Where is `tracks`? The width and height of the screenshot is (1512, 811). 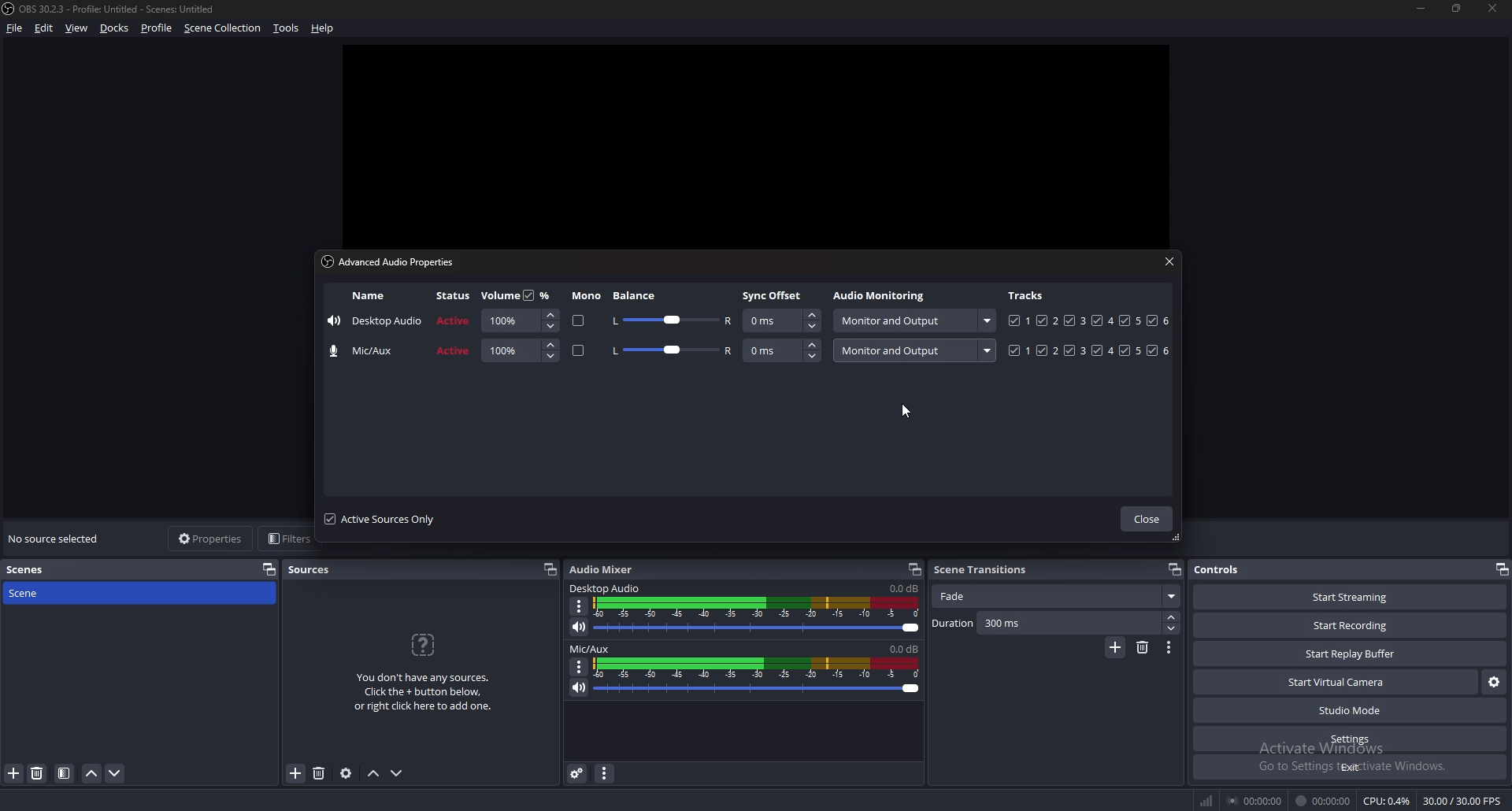 tracks is located at coordinates (1091, 320).